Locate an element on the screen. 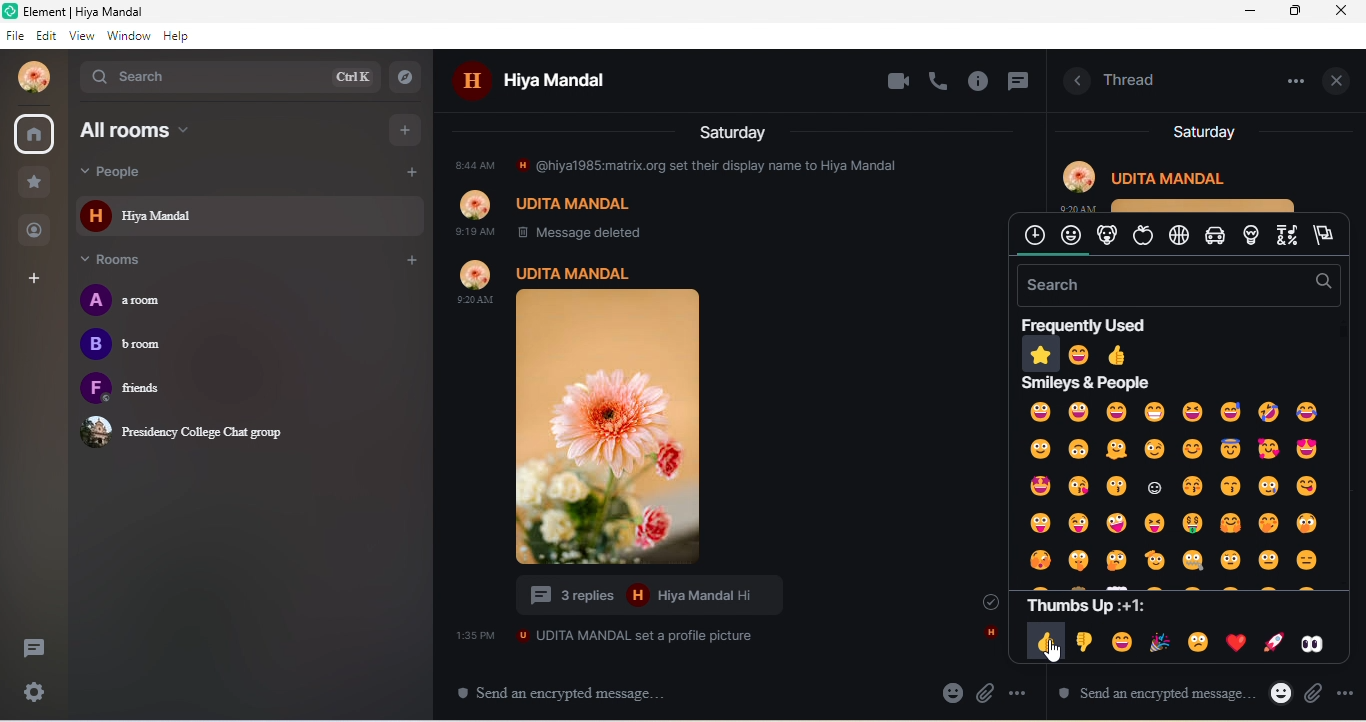 The height and width of the screenshot is (722, 1366). send an encrypted message is located at coordinates (571, 693).